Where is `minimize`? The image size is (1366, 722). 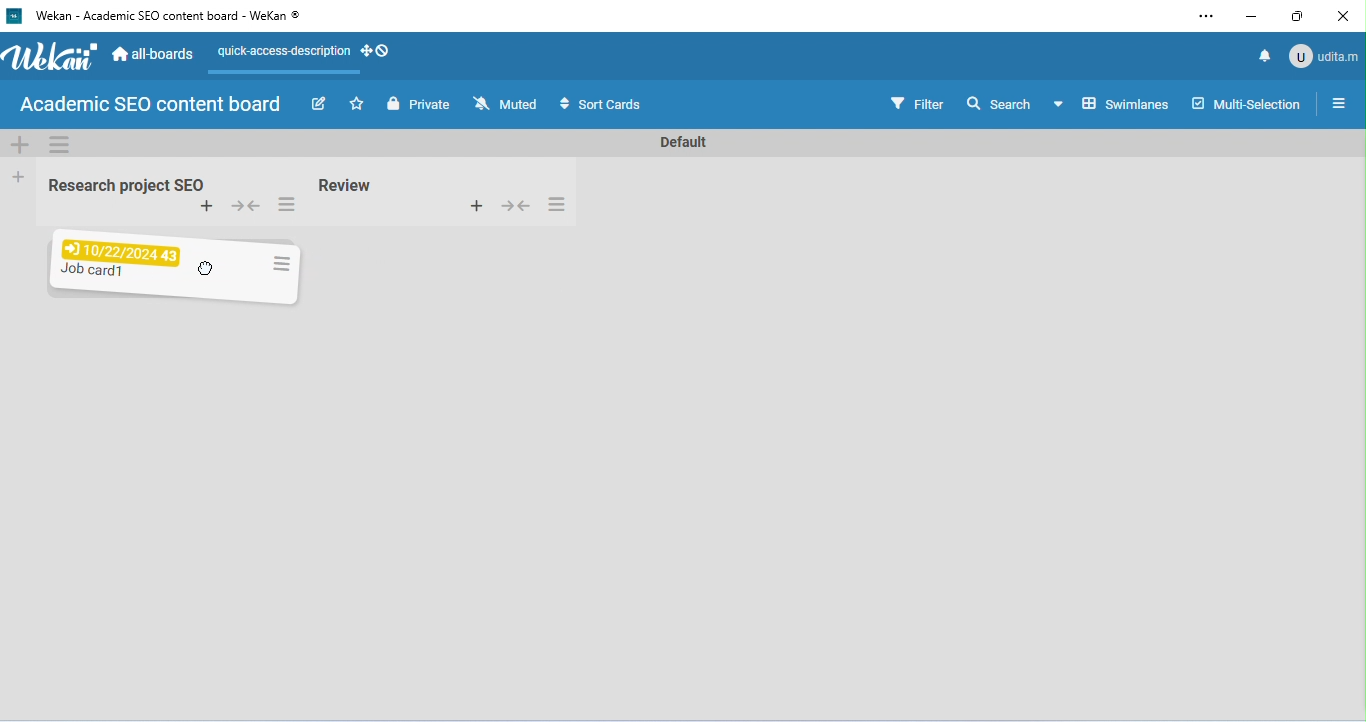 minimize is located at coordinates (1251, 18).